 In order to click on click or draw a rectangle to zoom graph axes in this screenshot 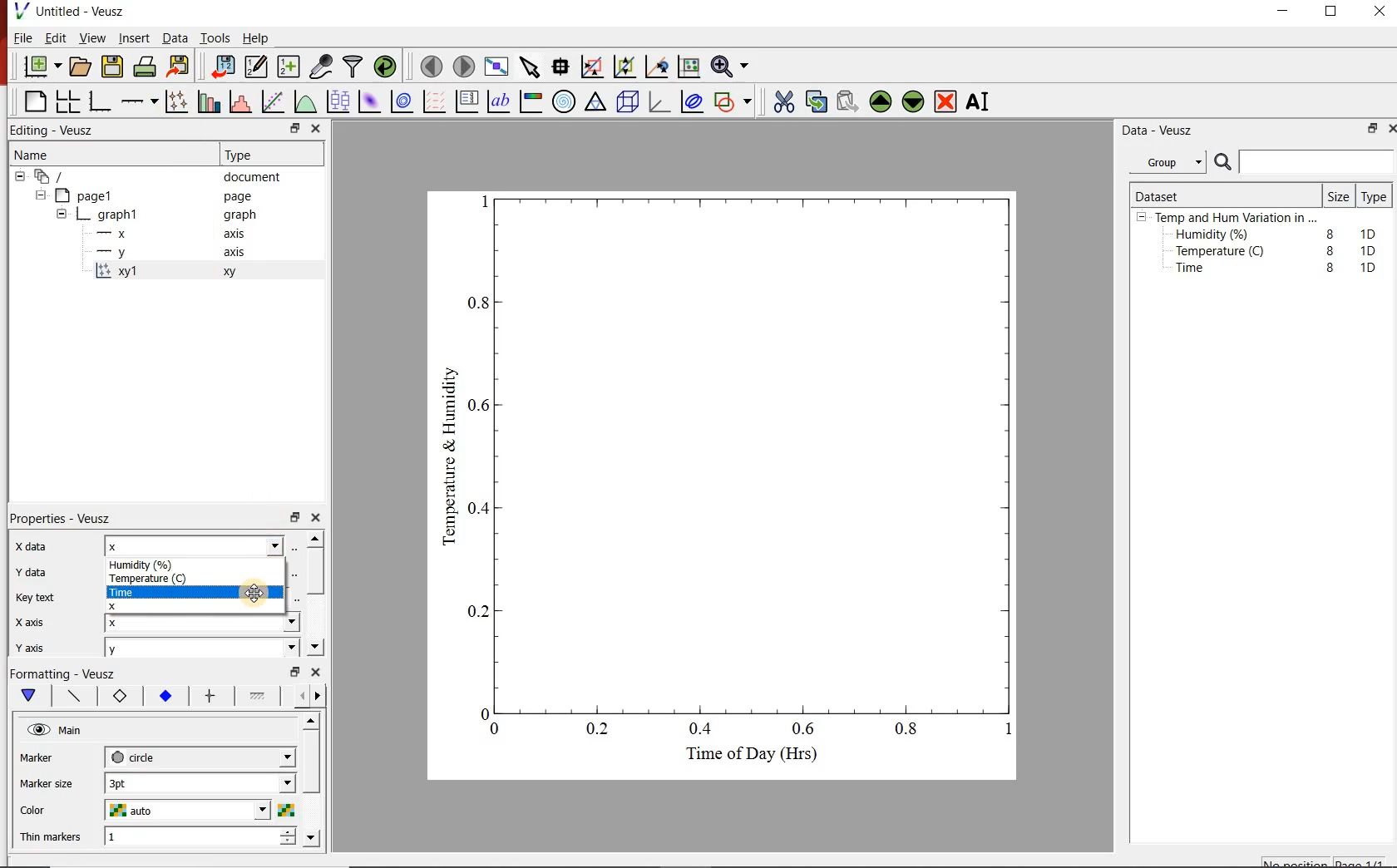, I will do `click(595, 67)`.